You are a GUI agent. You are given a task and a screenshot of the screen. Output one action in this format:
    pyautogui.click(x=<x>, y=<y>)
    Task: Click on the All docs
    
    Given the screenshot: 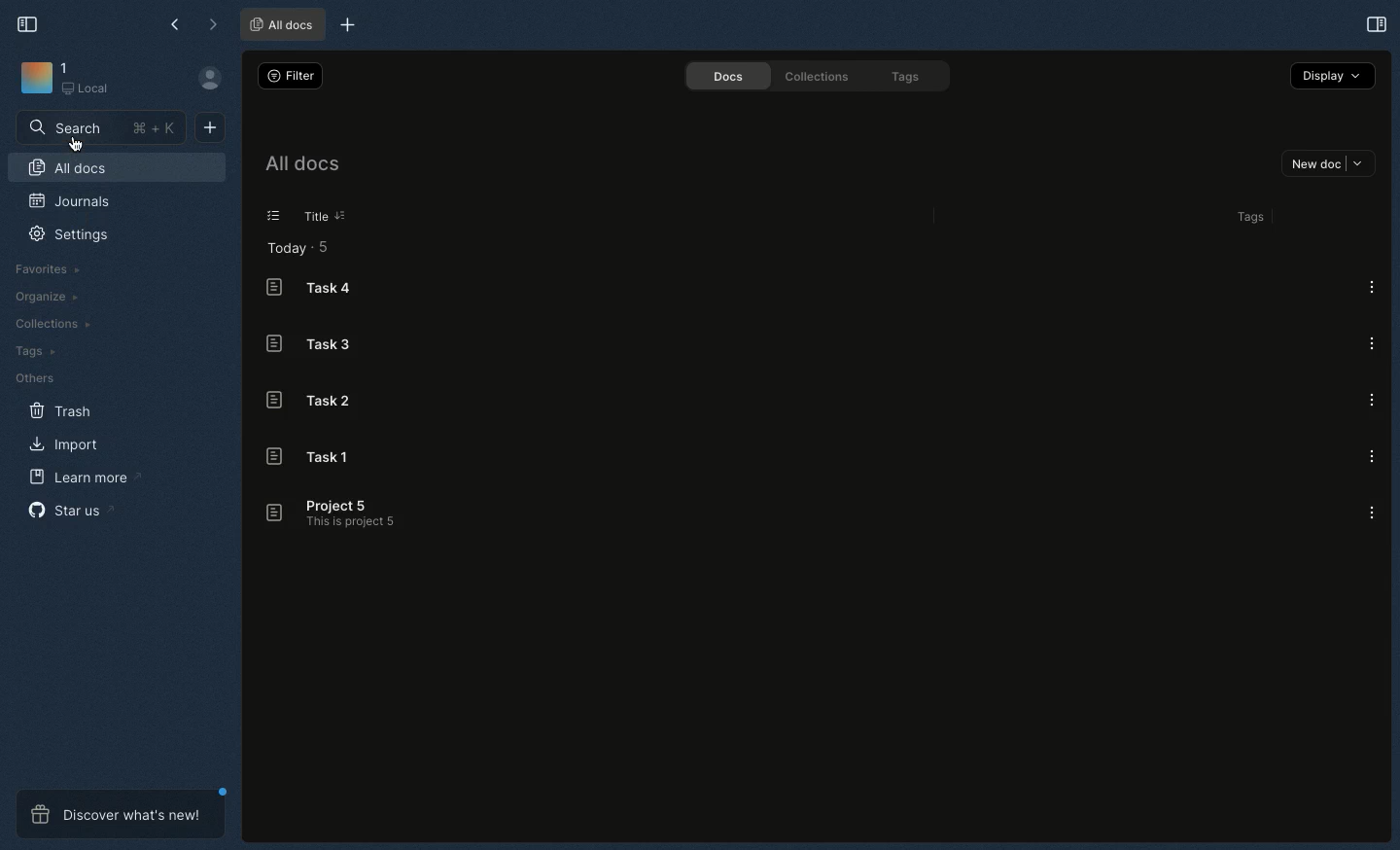 What is the action you would take?
    pyautogui.click(x=74, y=165)
    